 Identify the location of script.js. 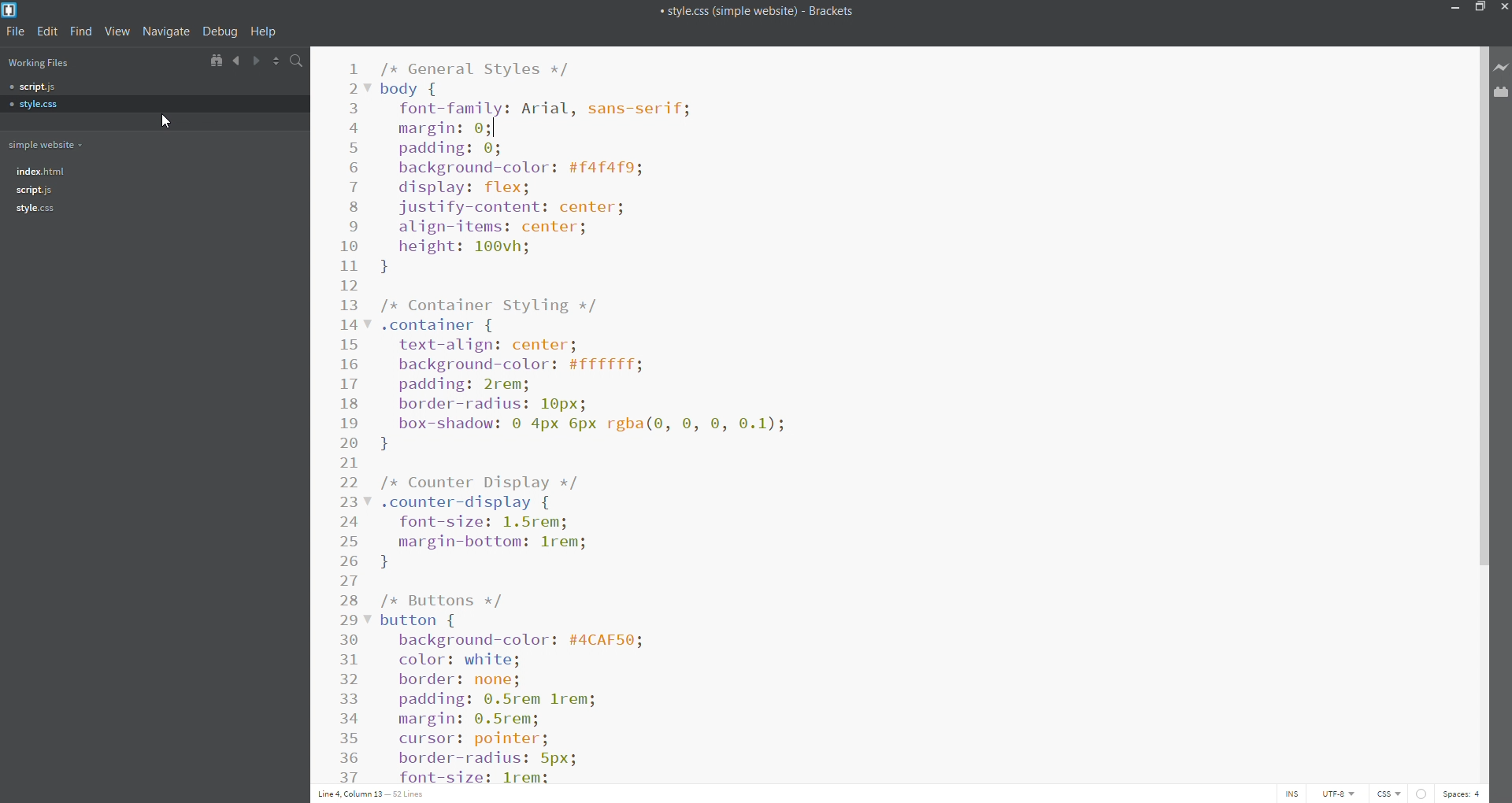
(152, 191).